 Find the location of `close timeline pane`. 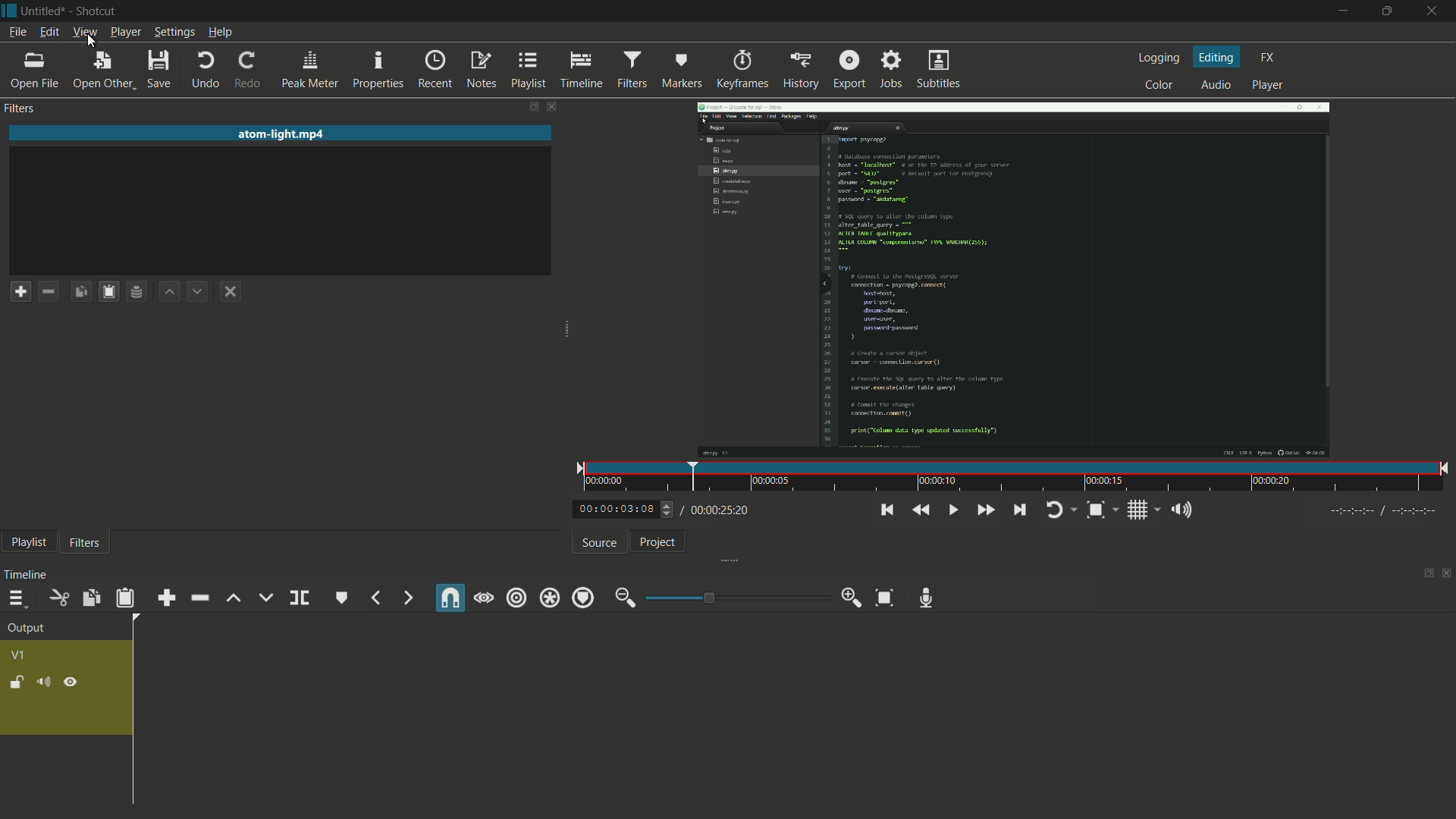

close timeline pane is located at coordinates (1447, 573).